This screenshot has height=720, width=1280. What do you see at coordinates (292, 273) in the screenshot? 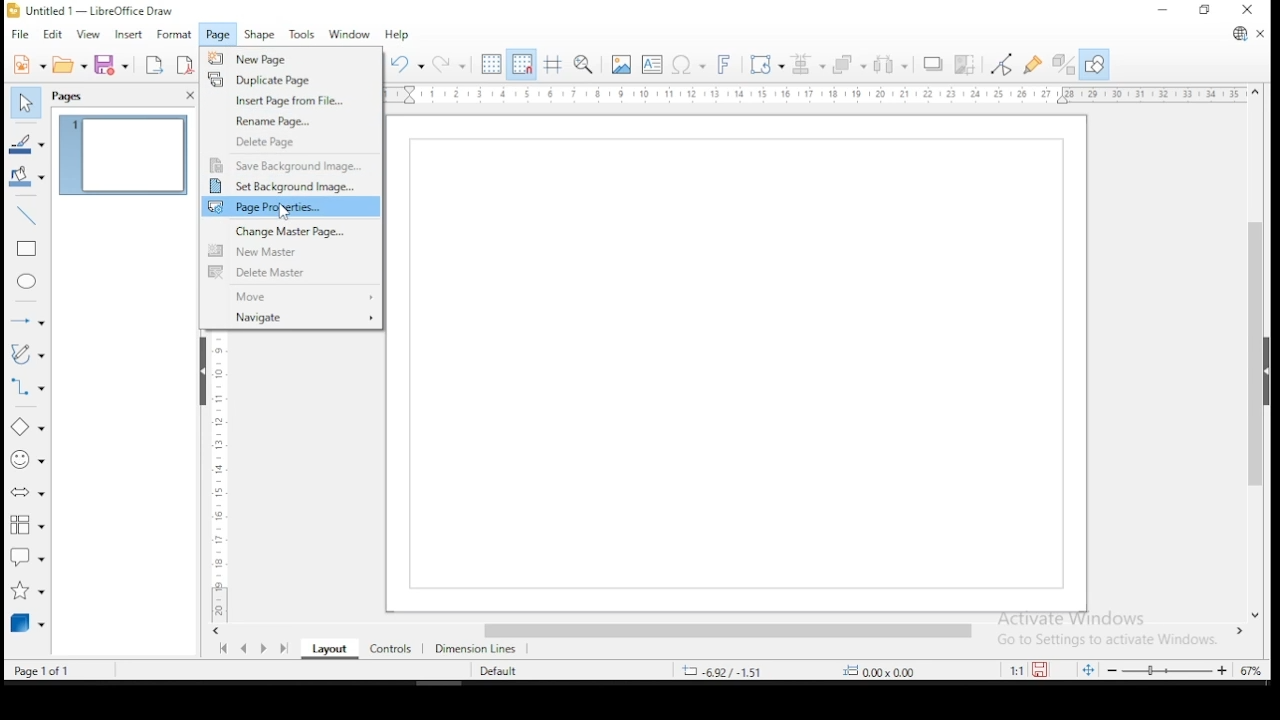
I see `delete master` at bounding box center [292, 273].